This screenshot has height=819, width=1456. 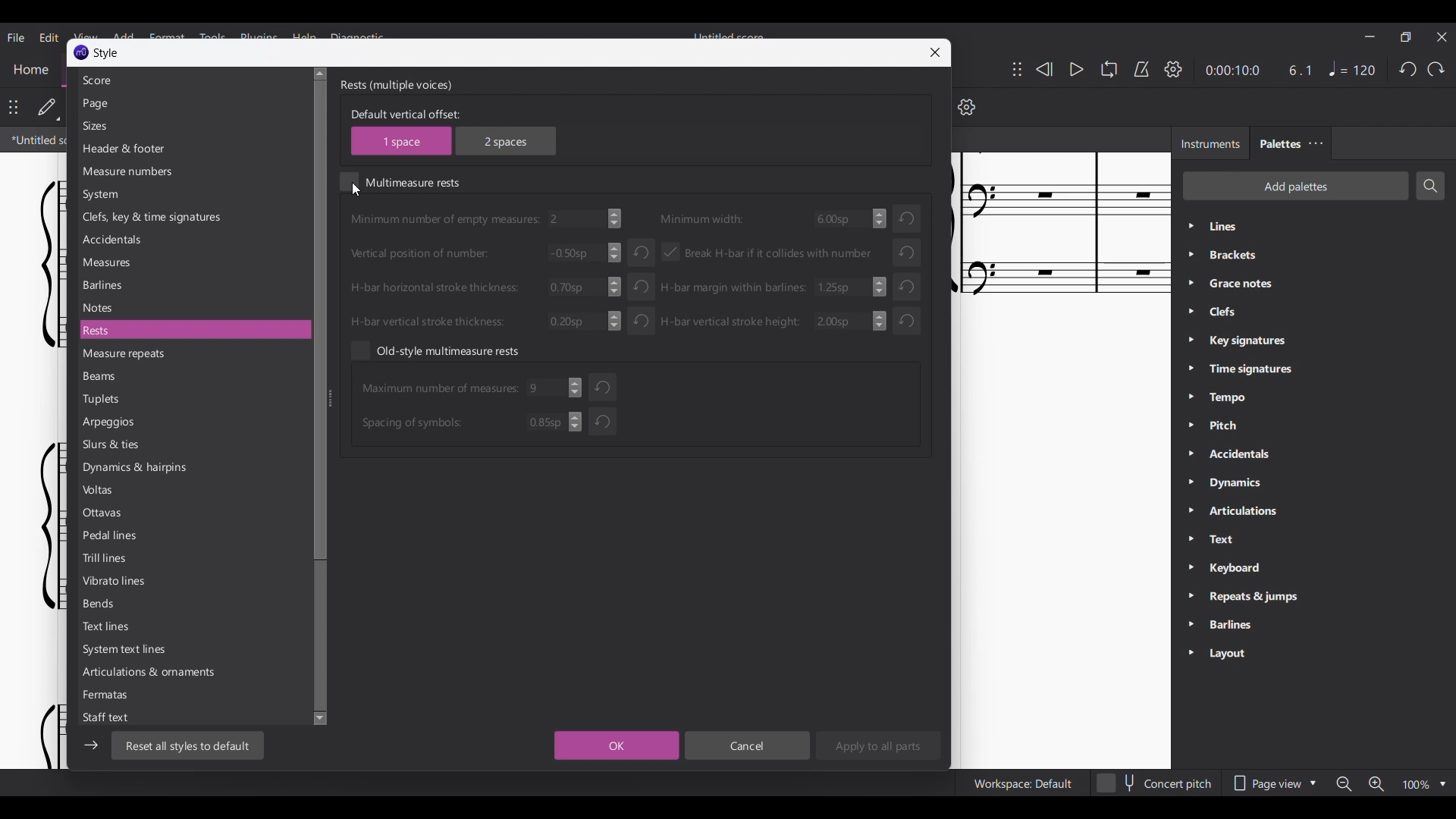 What do you see at coordinates (476, 253) in the screenshot?
I see `Input vertical positions of number` at bounding box center [476, 253].